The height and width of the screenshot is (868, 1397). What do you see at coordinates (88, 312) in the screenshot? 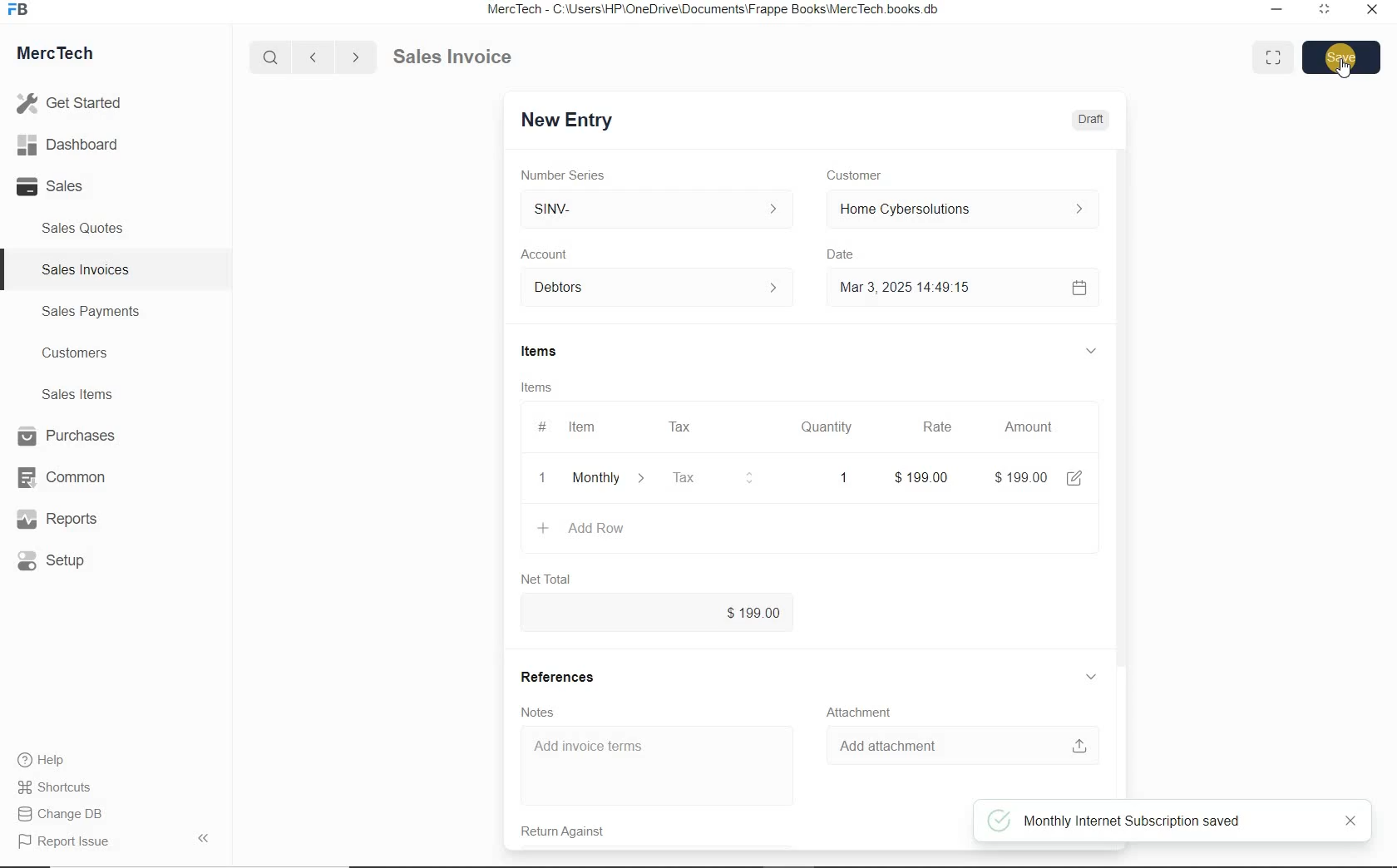
I see `Sales Payments` at bounding box center [88, 312].